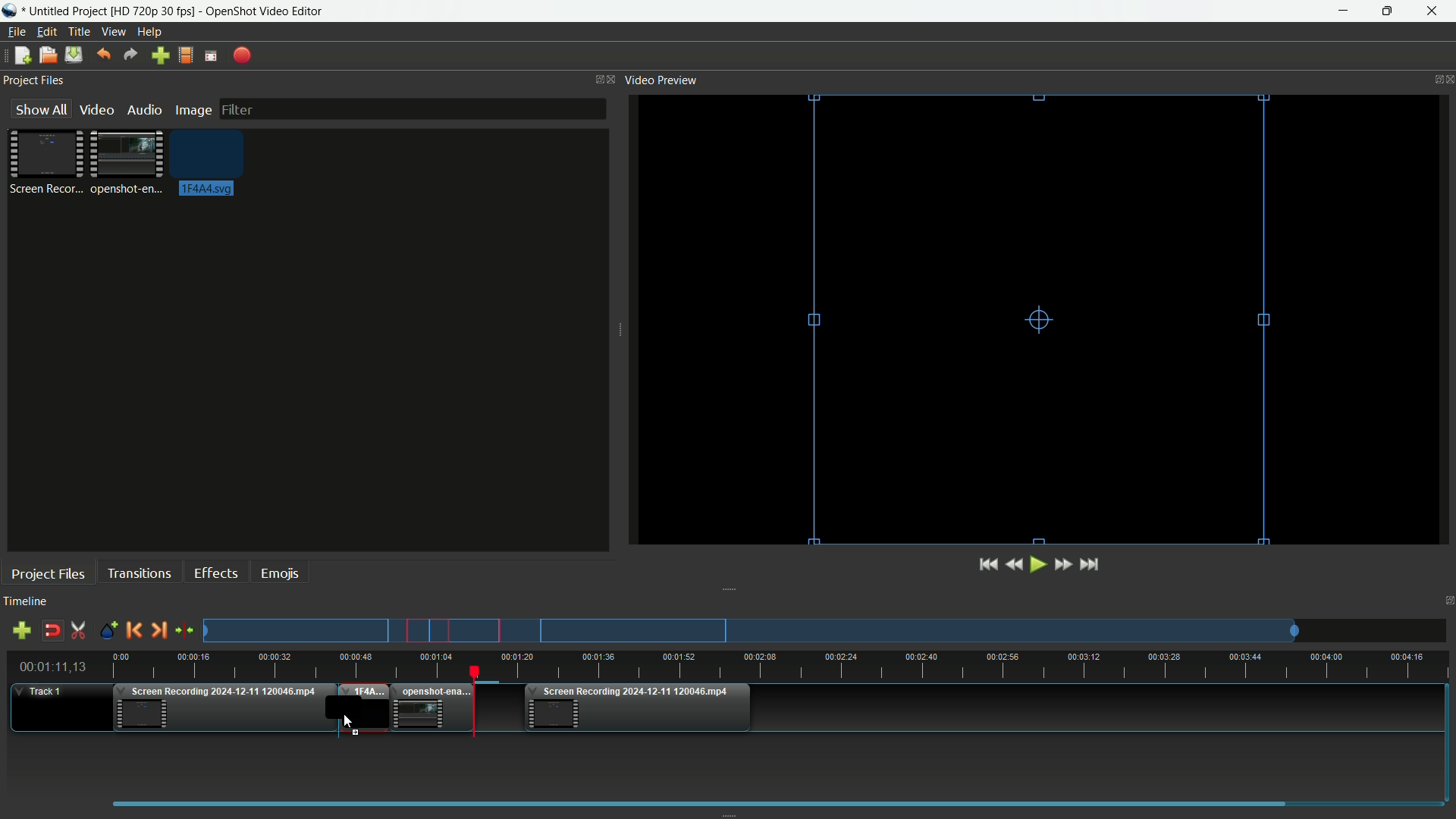  I want to click on App name, so click(266, 12).